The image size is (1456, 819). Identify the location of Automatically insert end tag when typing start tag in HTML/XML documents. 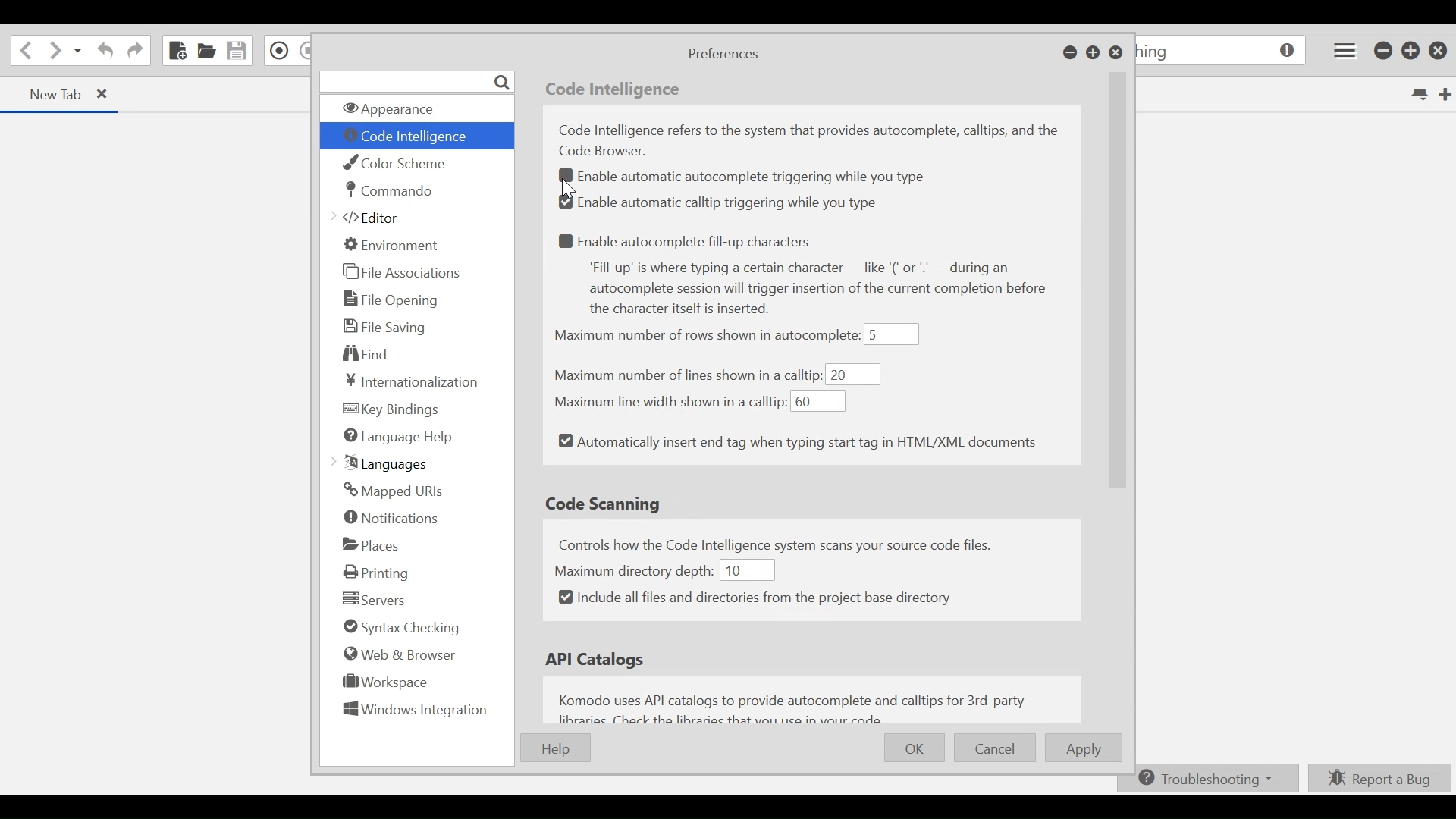
(798, 443).